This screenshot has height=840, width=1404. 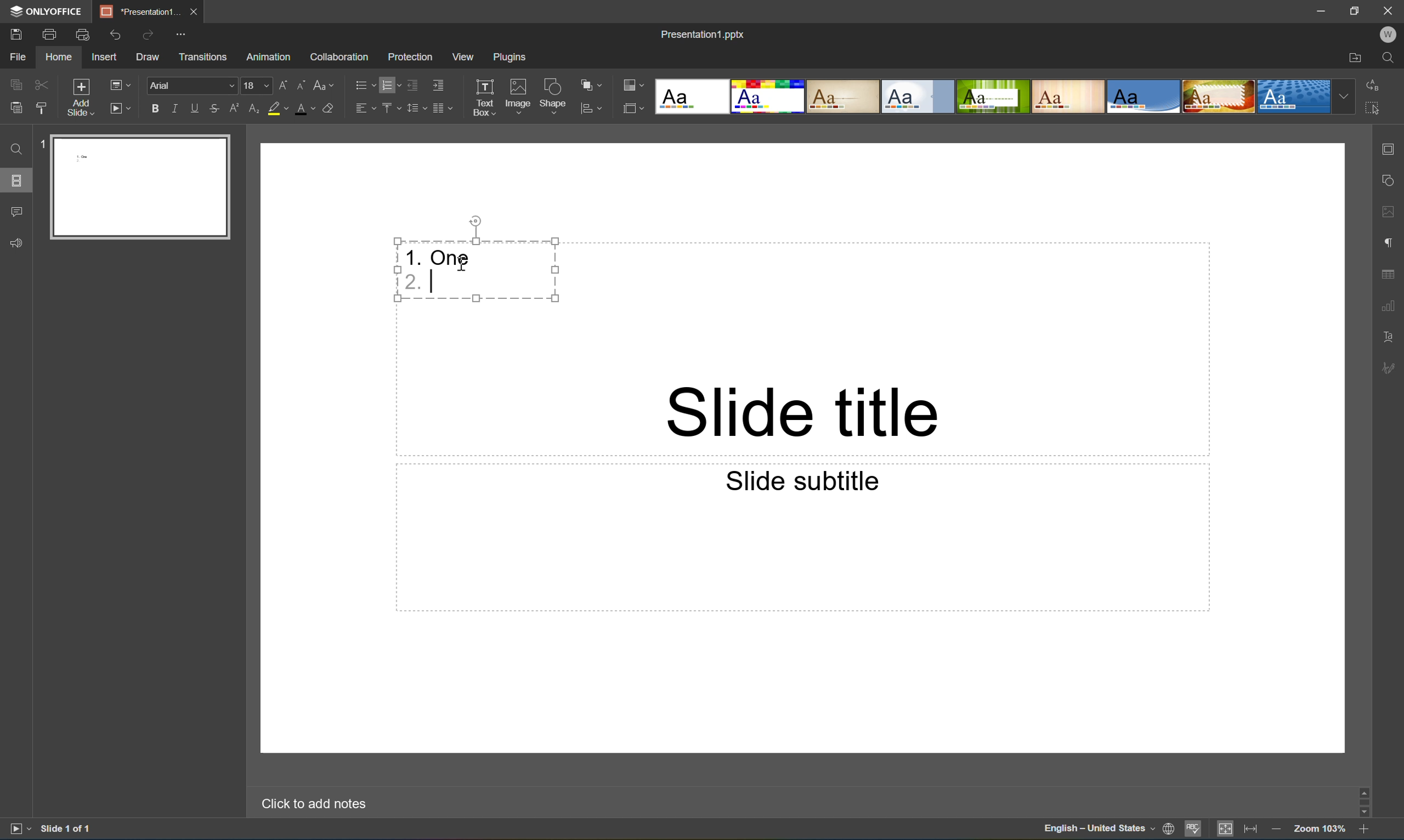 What do you see at coordinates (198, 109) in the screenshot?
I see `Underline` at bounding box center [198, 109].